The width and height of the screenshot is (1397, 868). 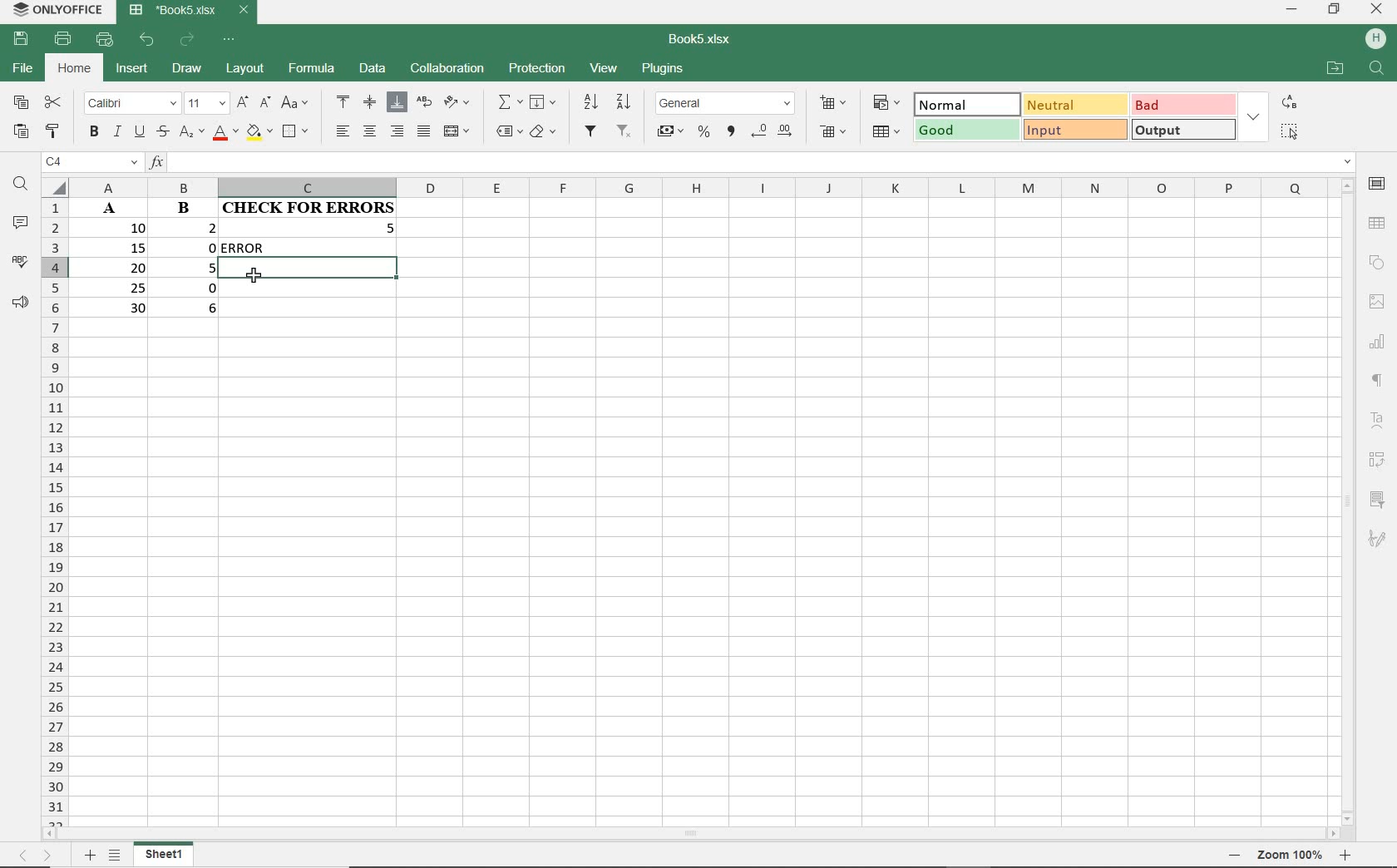 What do you see at coordinates (54, 131) in the screenshot?
I see `COPY STYLE` at bounding box center [54, 131].